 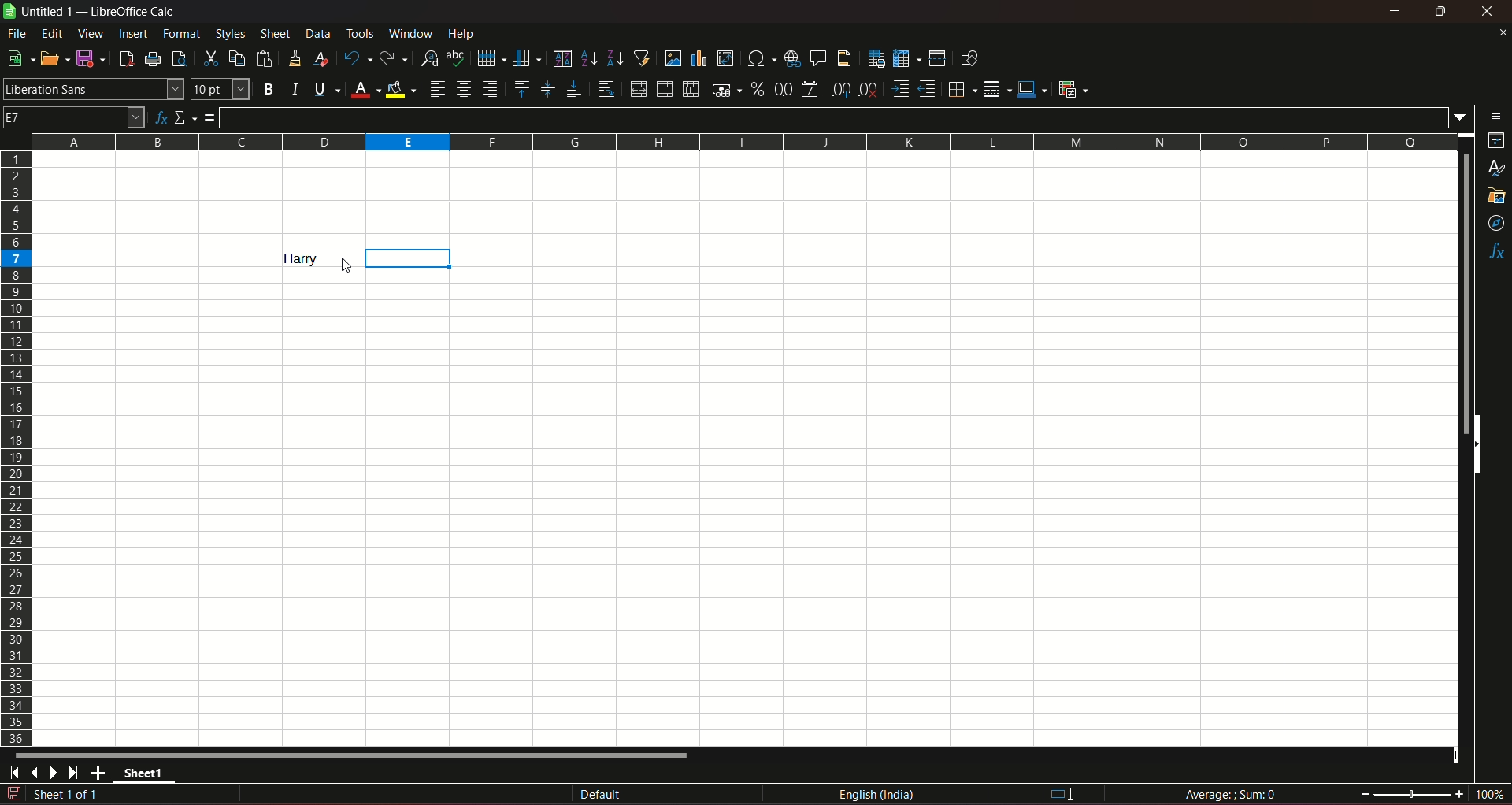 I want to click on sort ascending, so click(x=590, y=57).